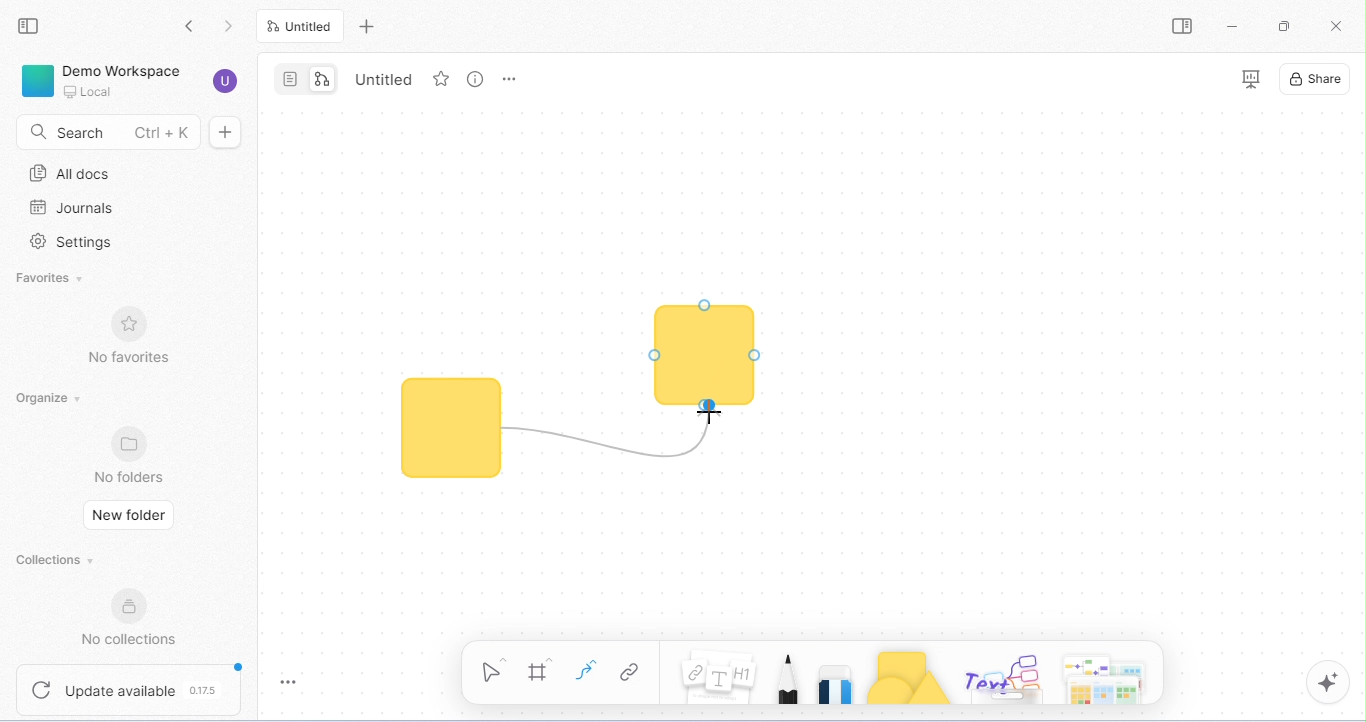 The width and height of the screenshot is (1366, 722). What do you see at coordinates (788, 676) in the screenshot?
I see `pencil` at bounding box center [788, 676].